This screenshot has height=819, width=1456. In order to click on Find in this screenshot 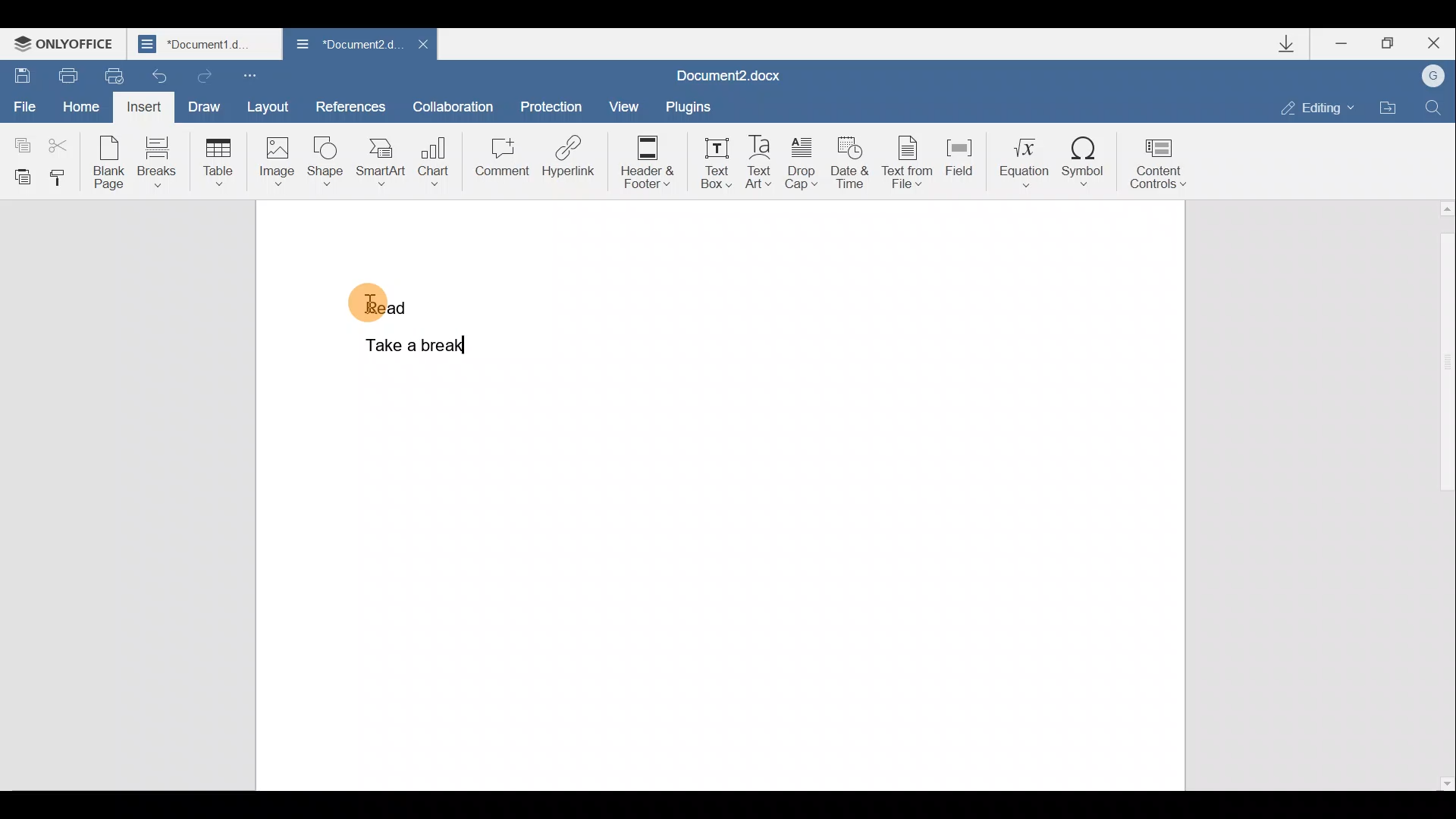, I will do `click(1435, 105)`.